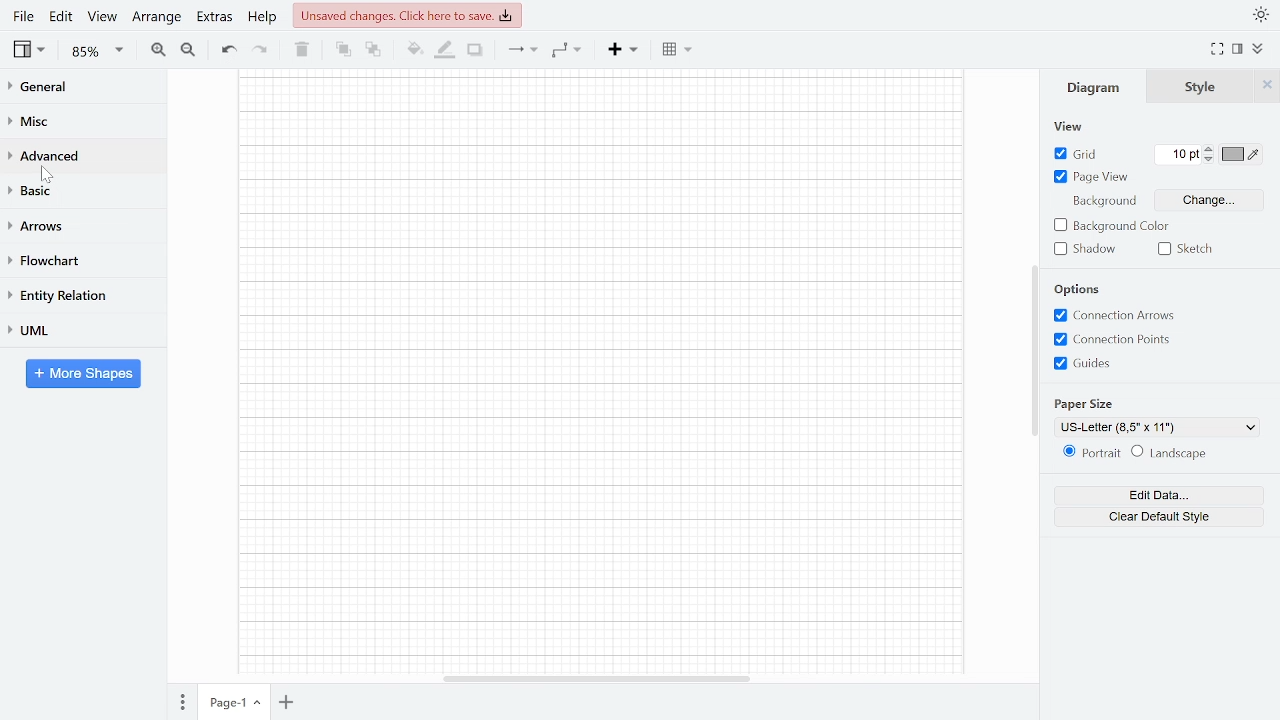 The height and width of the screenshot is (720, 1280). I want to click on 85% - Zoom, so click(96, 52).